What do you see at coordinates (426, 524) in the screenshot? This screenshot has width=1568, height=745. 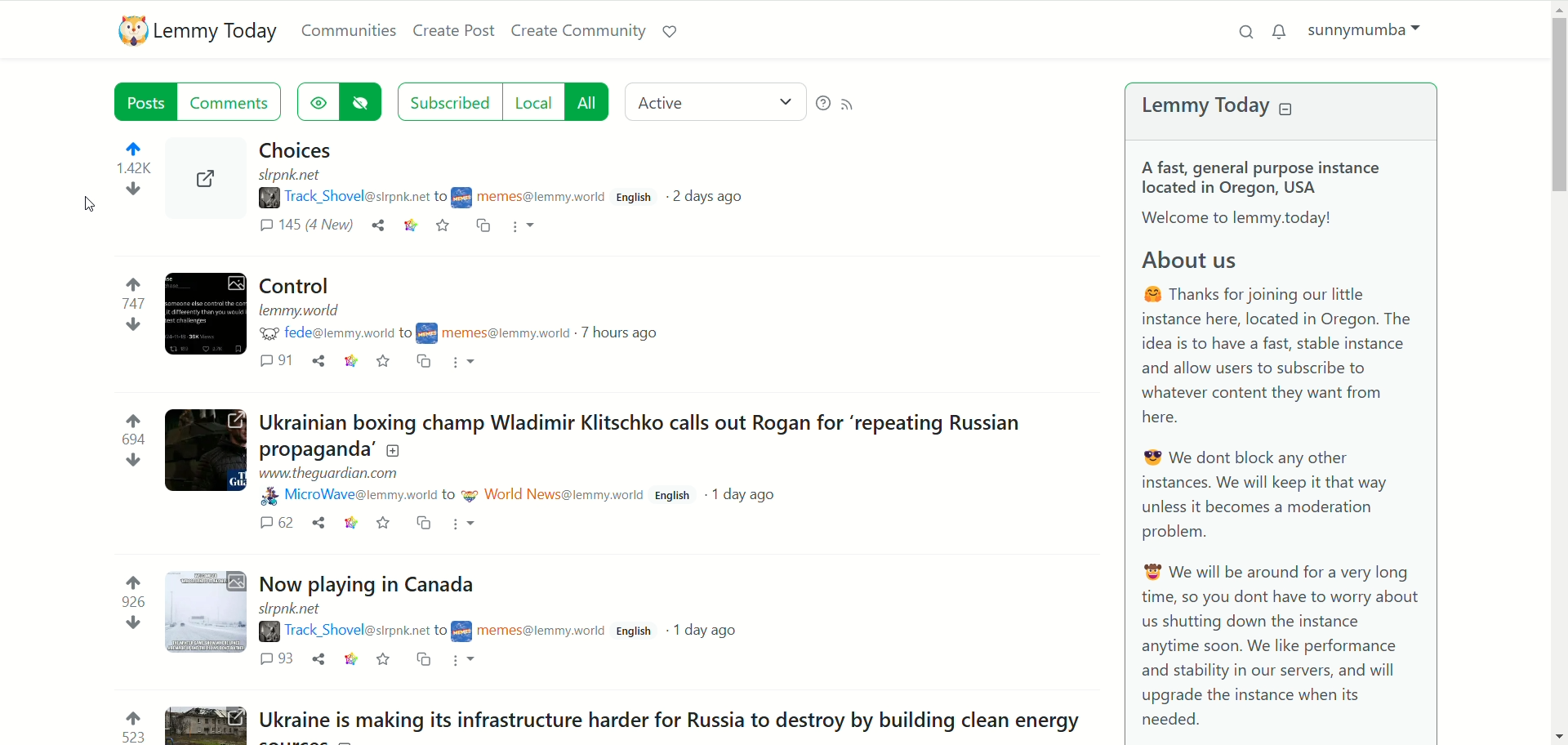 I see `copy` at bounding box center [426, 524].